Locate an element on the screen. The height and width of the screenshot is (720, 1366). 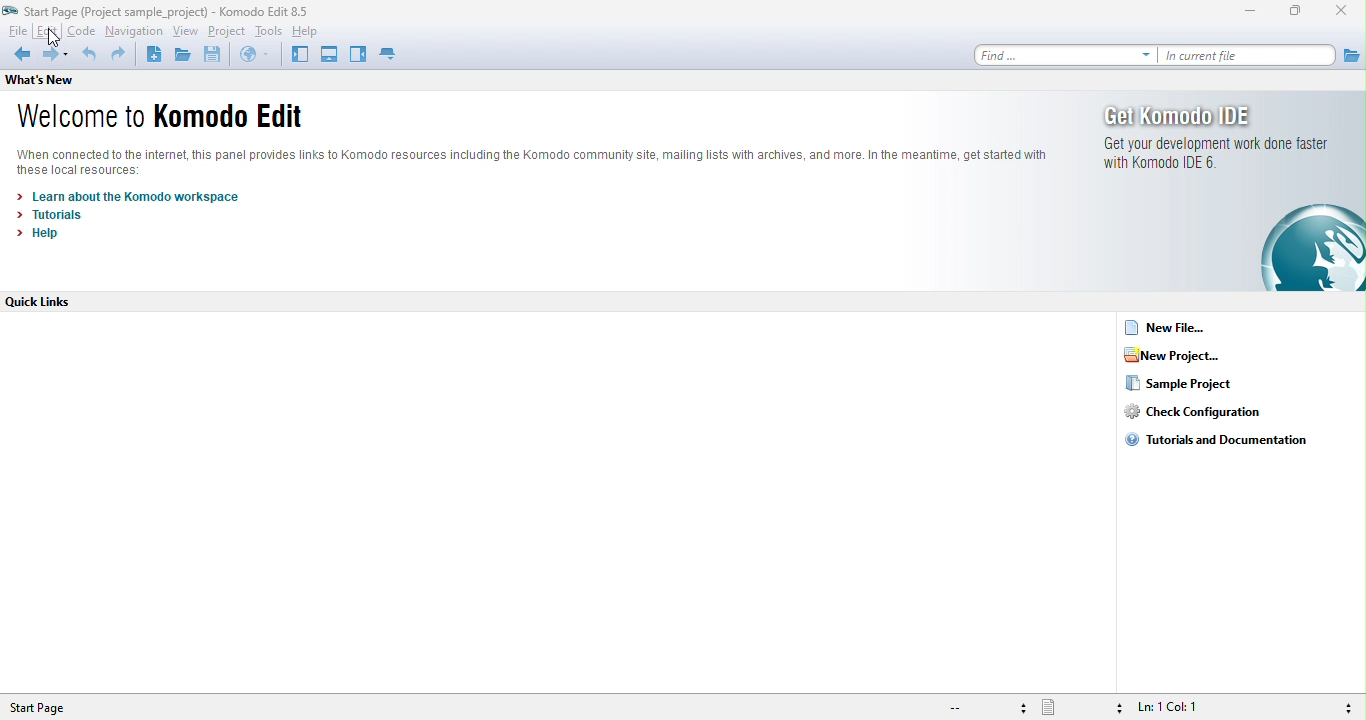
back is located at coordinates (18, 56).